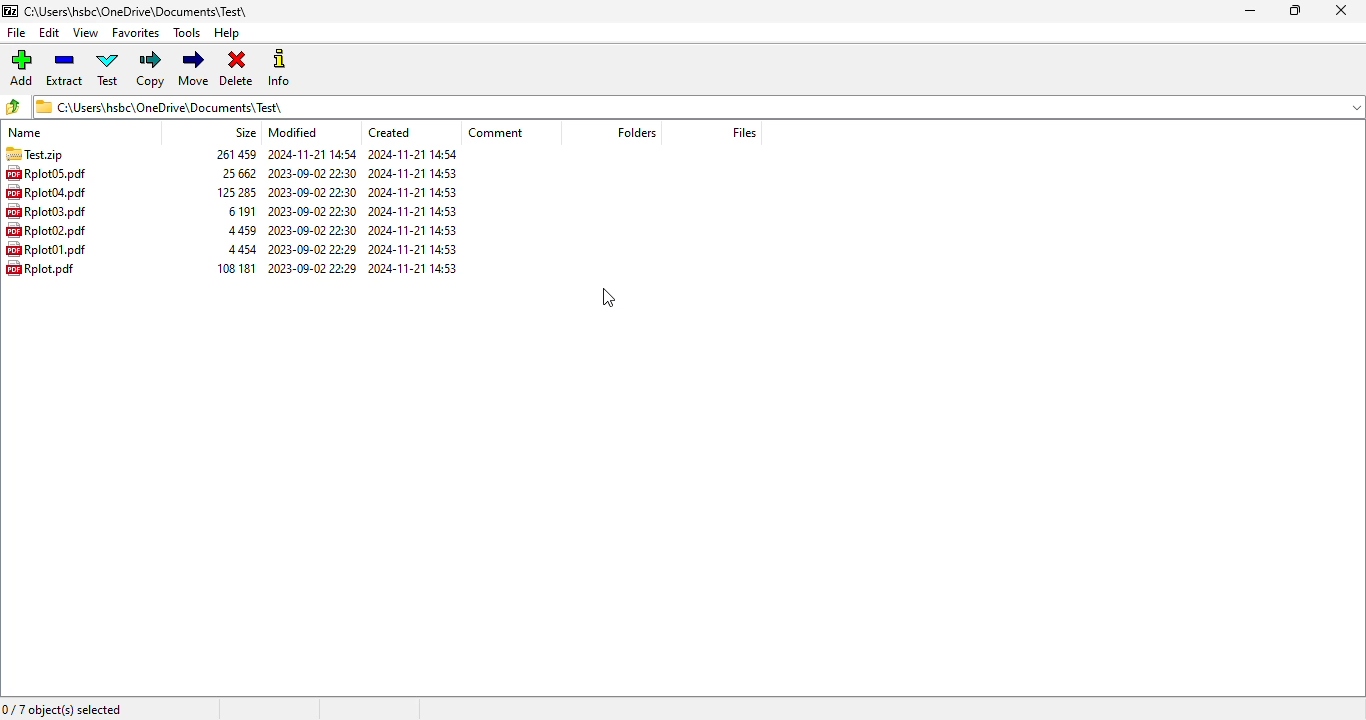 This screenshot has height=720, width=1366. I want to click on modified date & time, so click(311, 268).